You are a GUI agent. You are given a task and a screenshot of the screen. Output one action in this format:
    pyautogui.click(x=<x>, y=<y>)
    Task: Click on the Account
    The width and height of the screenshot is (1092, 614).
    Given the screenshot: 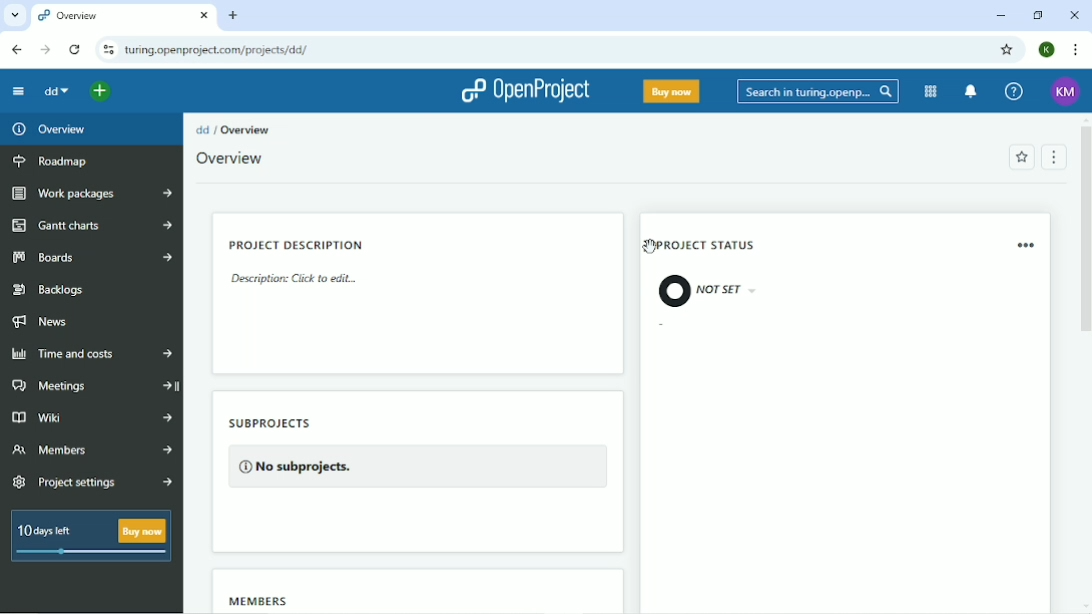 What is the action you would take?
    pyautogui.click(x=1066, y=91)
    